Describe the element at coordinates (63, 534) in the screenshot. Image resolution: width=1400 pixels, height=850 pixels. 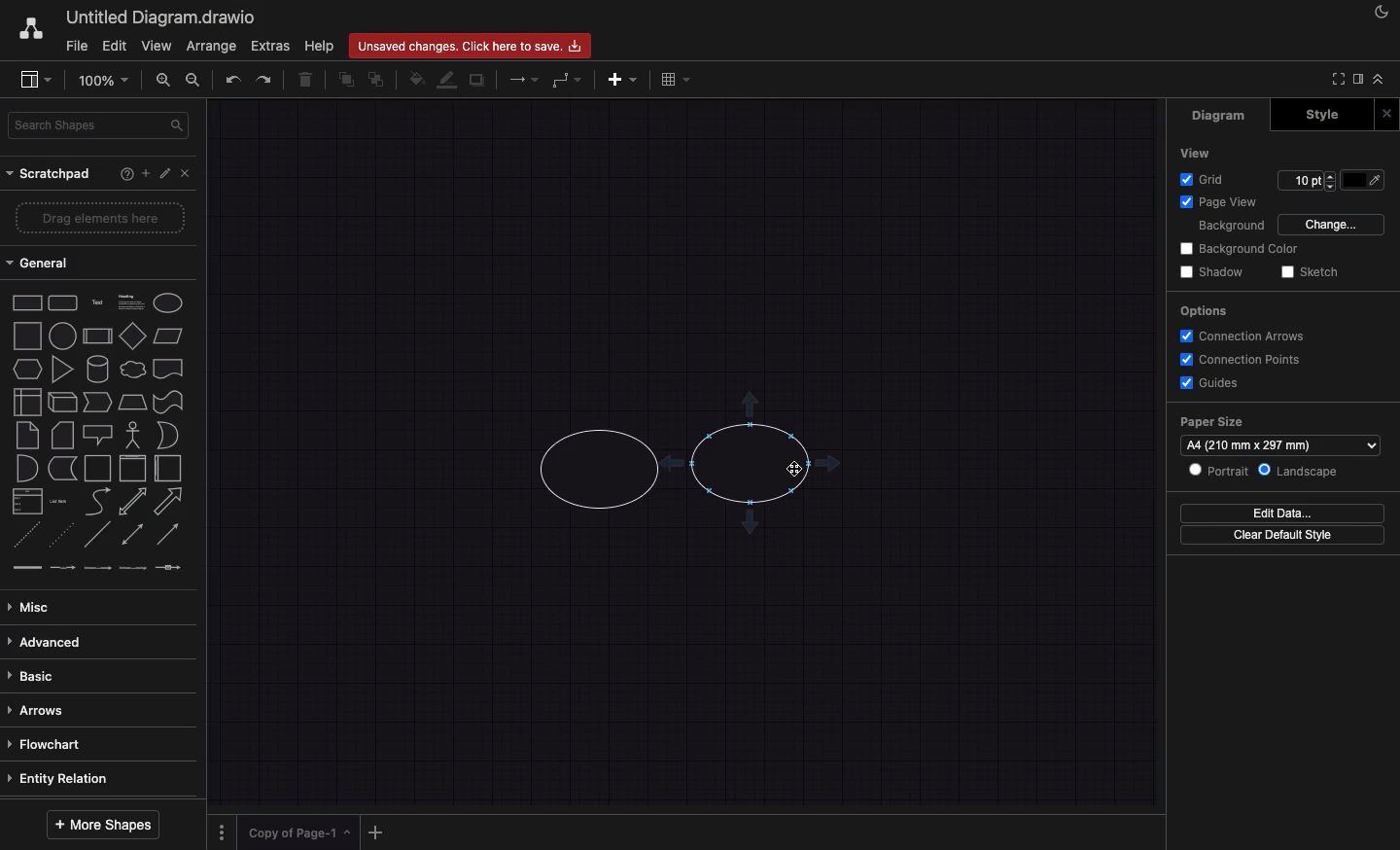
I see `dotted line` at that location.